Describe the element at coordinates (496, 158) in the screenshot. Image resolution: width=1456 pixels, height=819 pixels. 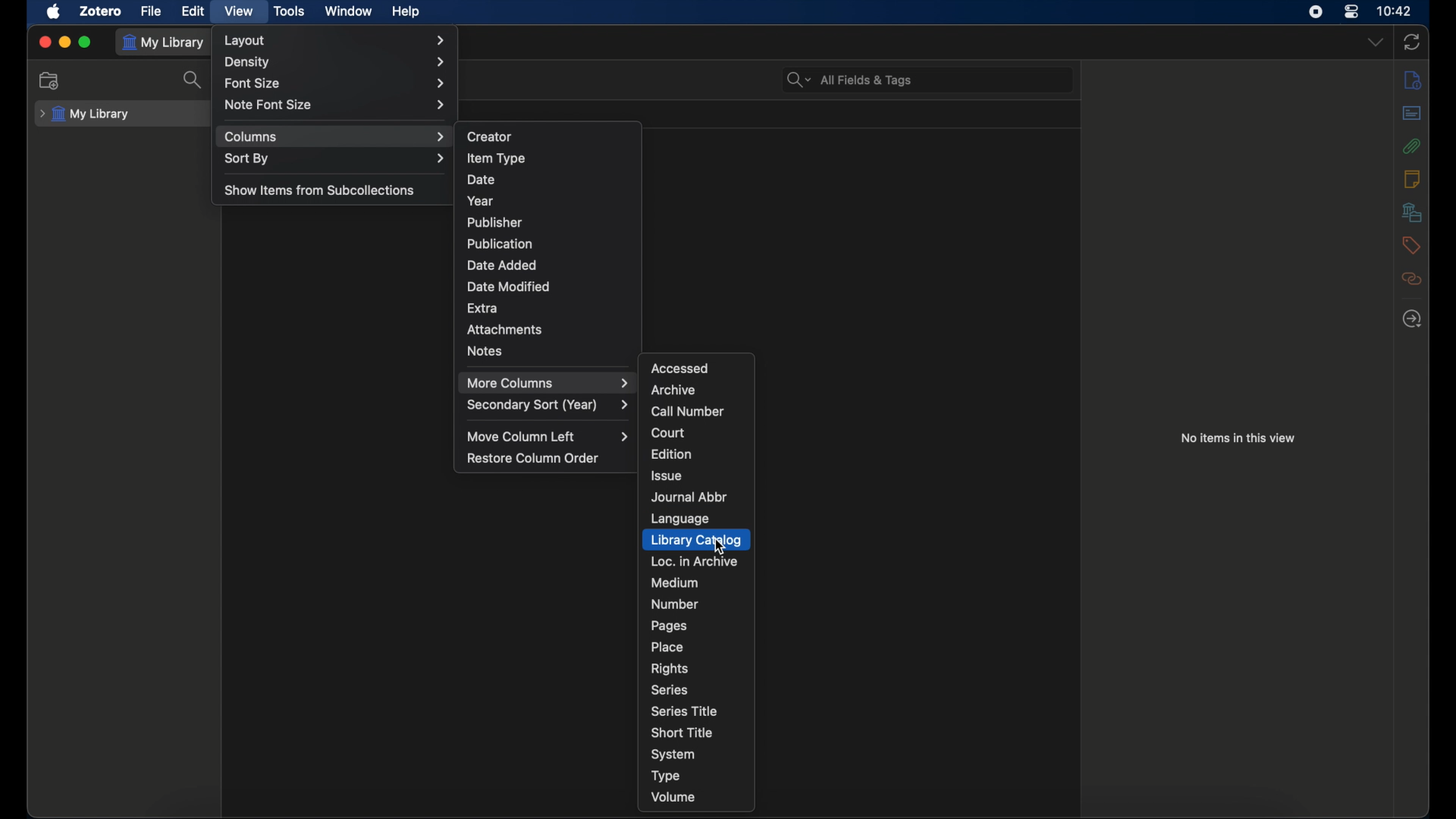
I see `item type` at that location.